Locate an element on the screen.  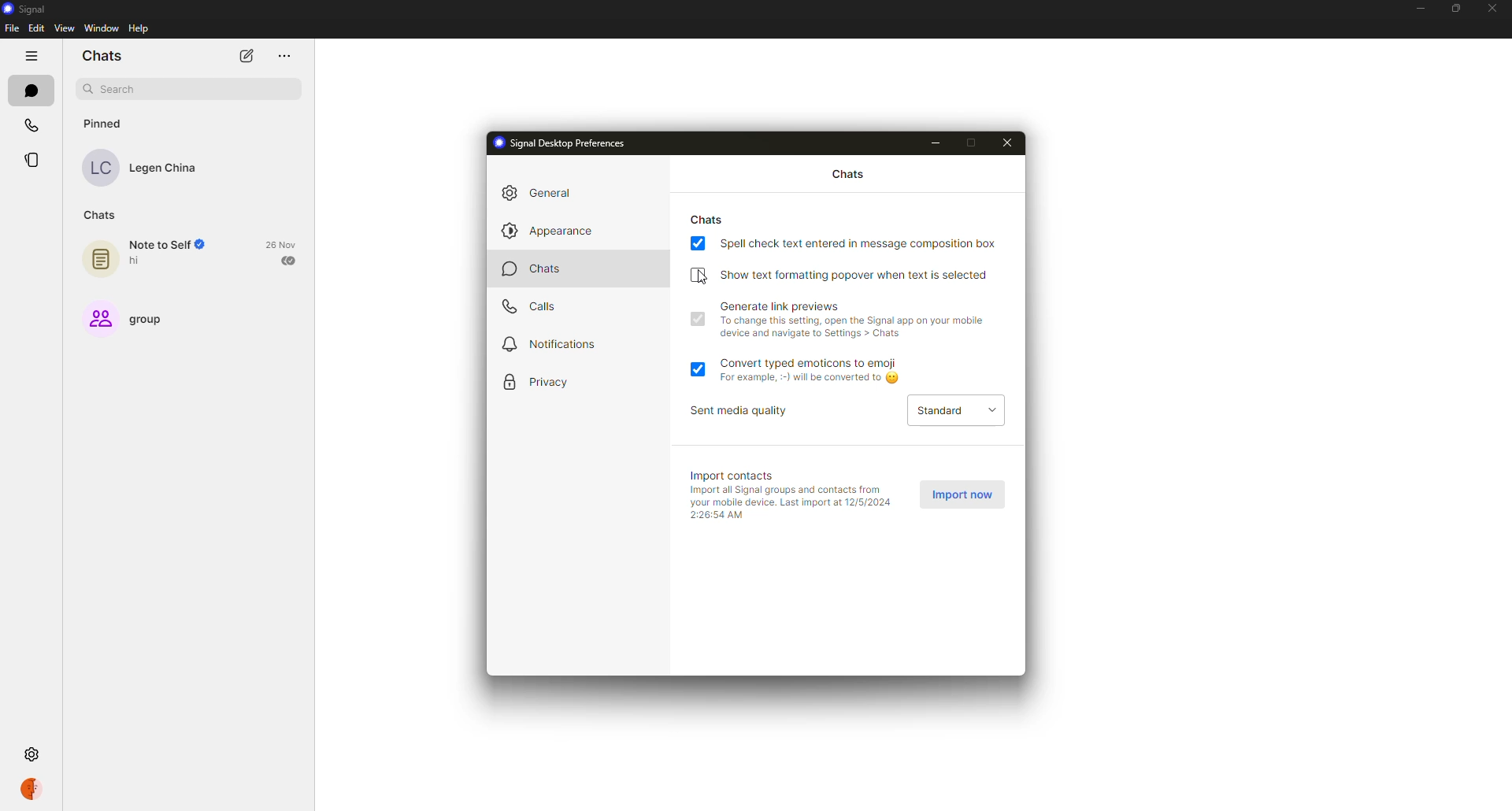
more is located at coordinates (283, 57).